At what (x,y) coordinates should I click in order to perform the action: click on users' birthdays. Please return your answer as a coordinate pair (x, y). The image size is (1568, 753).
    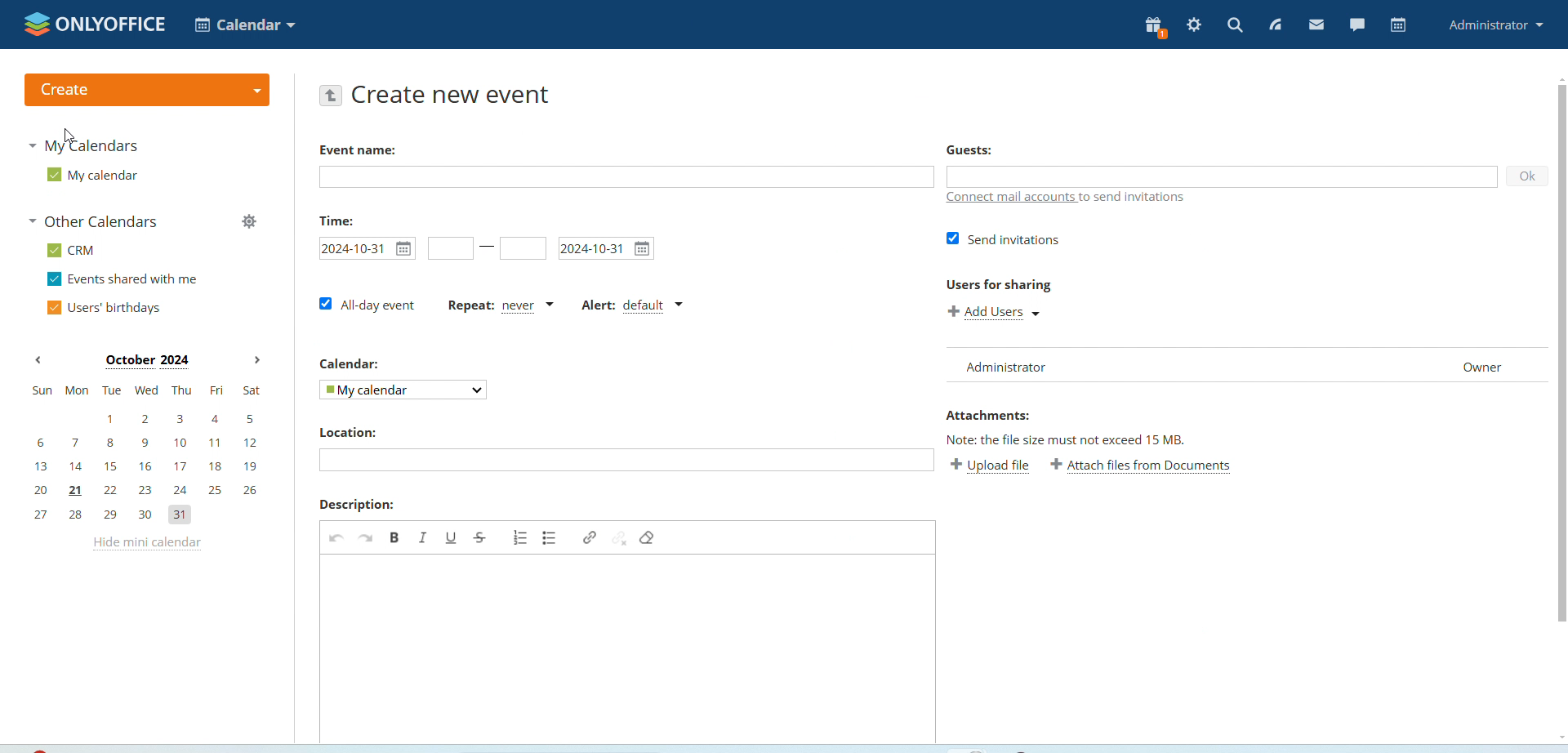
    Looking at the image, I should click on (105, 308).